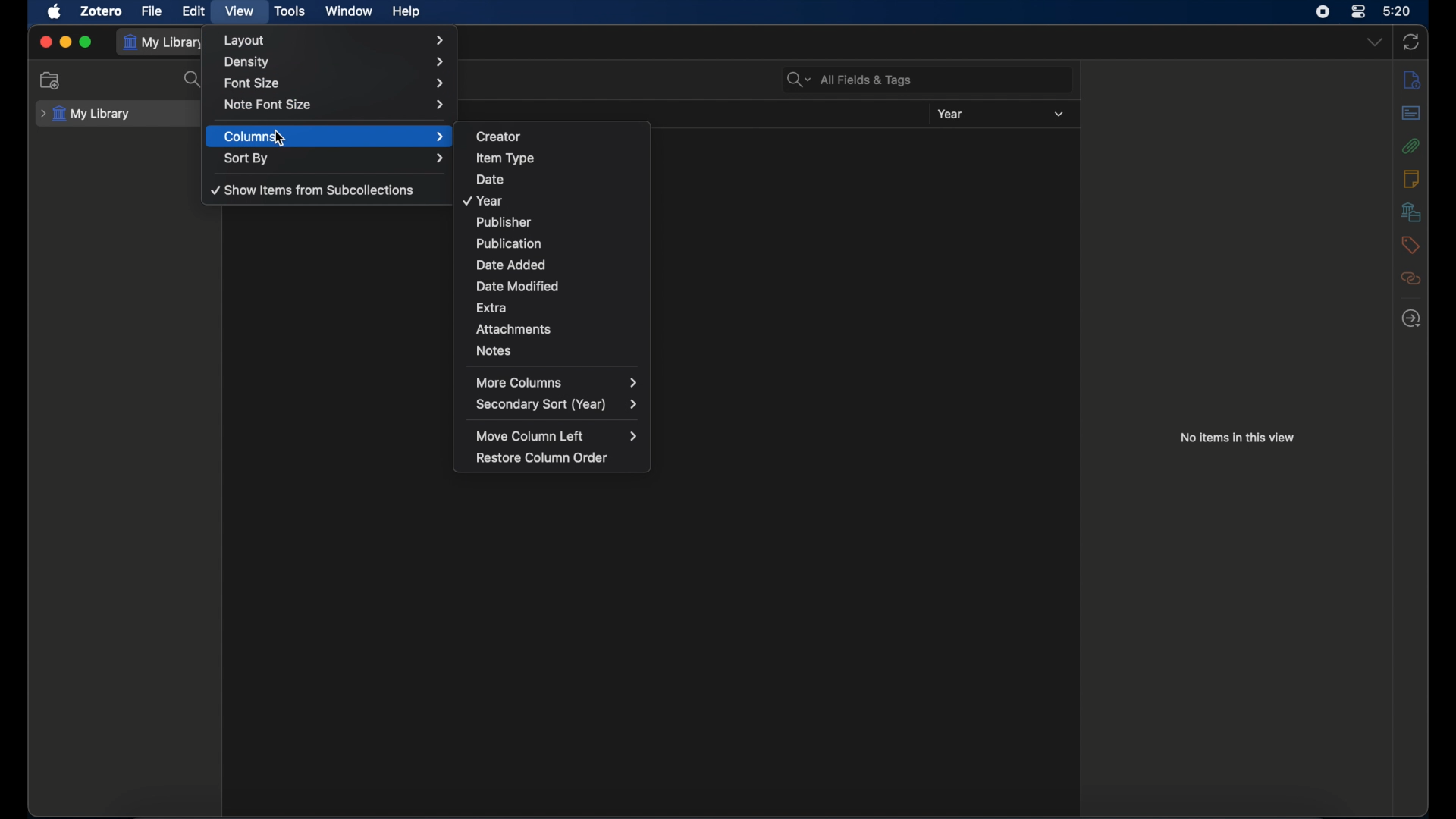  I want to click on year, so click(950, 114).